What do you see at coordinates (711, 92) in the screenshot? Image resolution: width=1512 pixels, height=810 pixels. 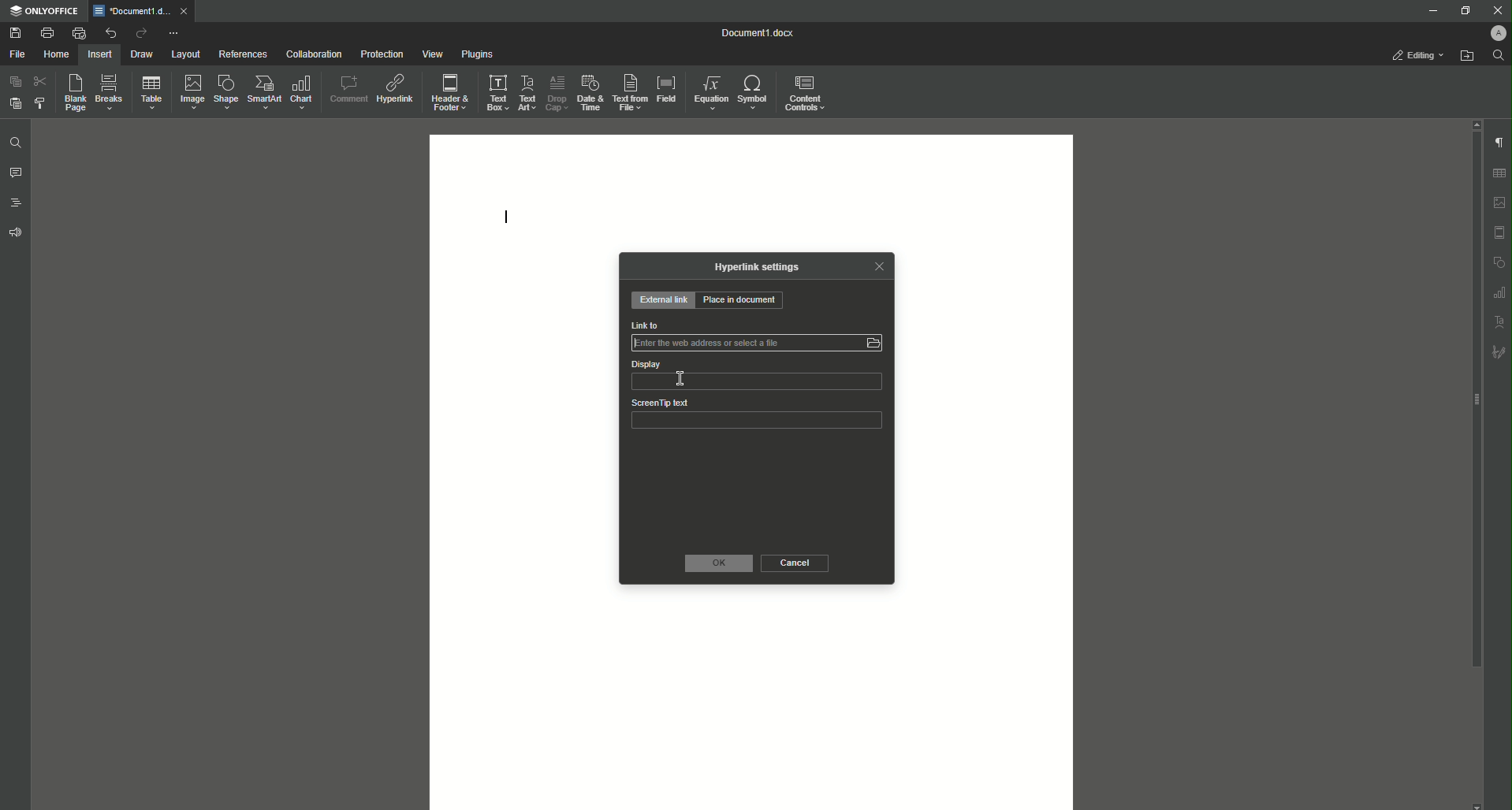 I see `Equation` at bounding box center [711, 92].